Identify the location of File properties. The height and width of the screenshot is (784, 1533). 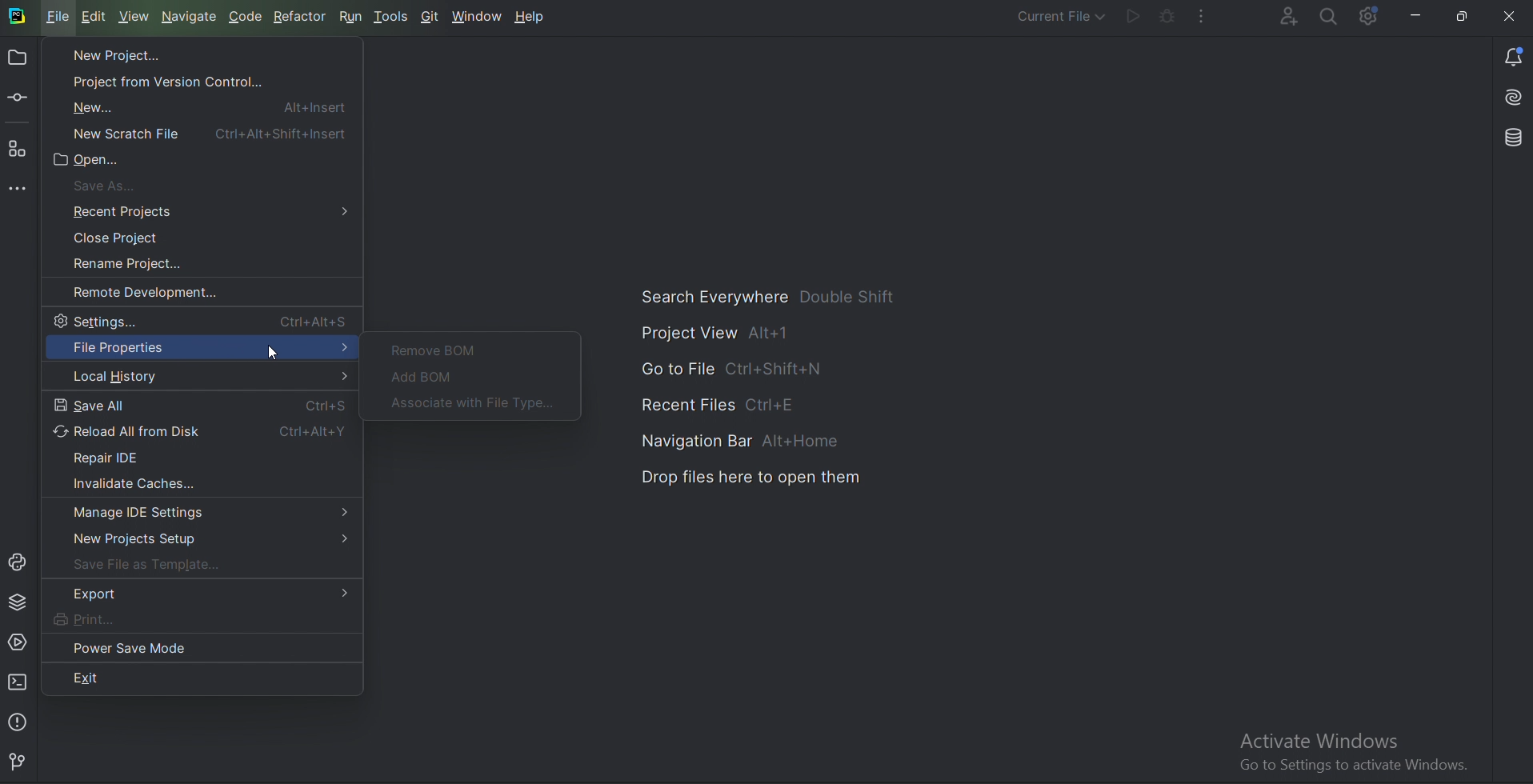
(201, 349).